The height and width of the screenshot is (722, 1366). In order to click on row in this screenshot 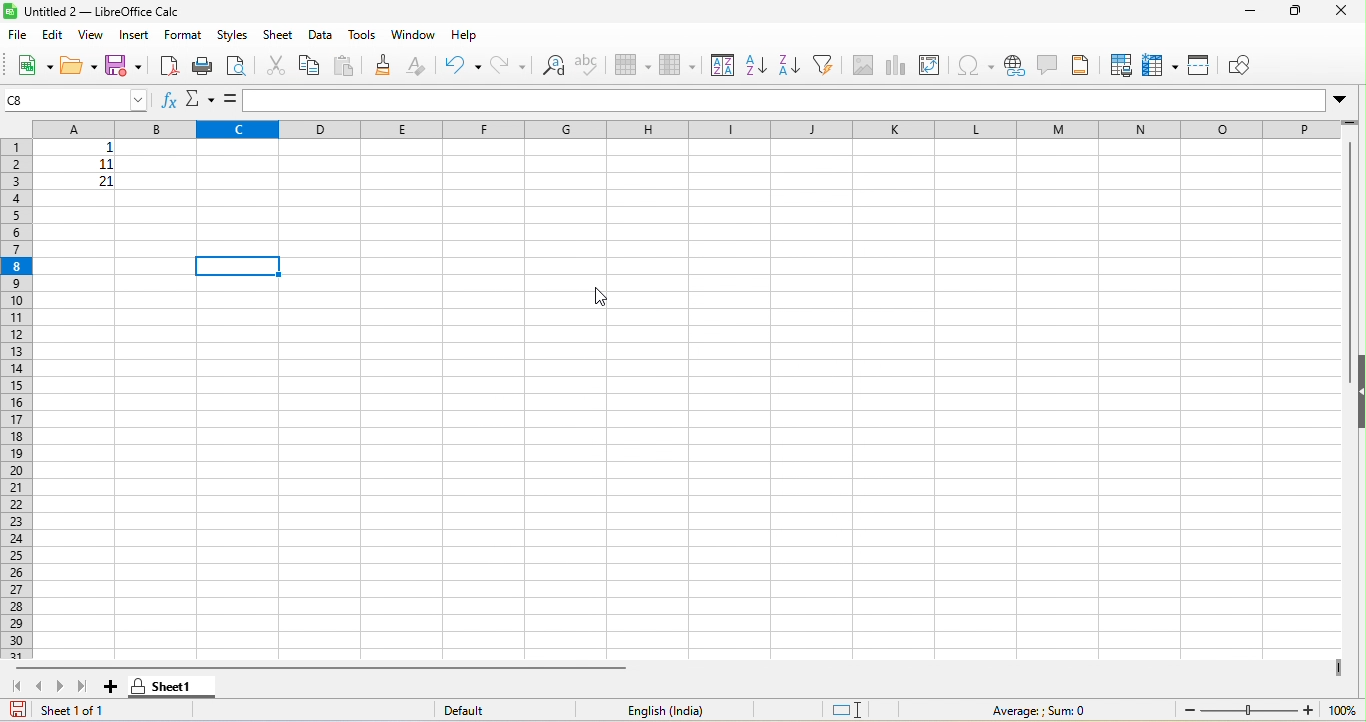, I will do `click(642, 63)`.